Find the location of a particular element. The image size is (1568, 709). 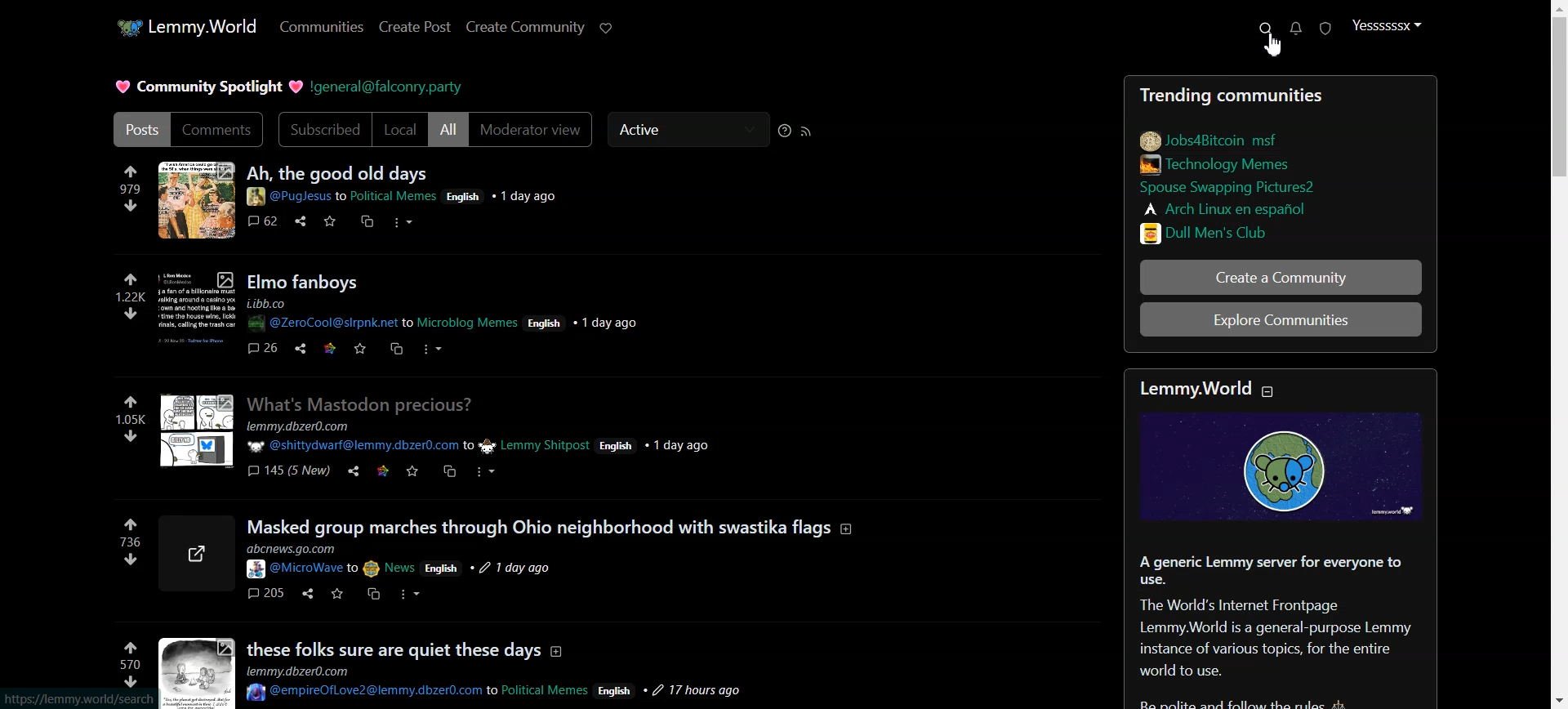

save is located at coordinates (373, 595).